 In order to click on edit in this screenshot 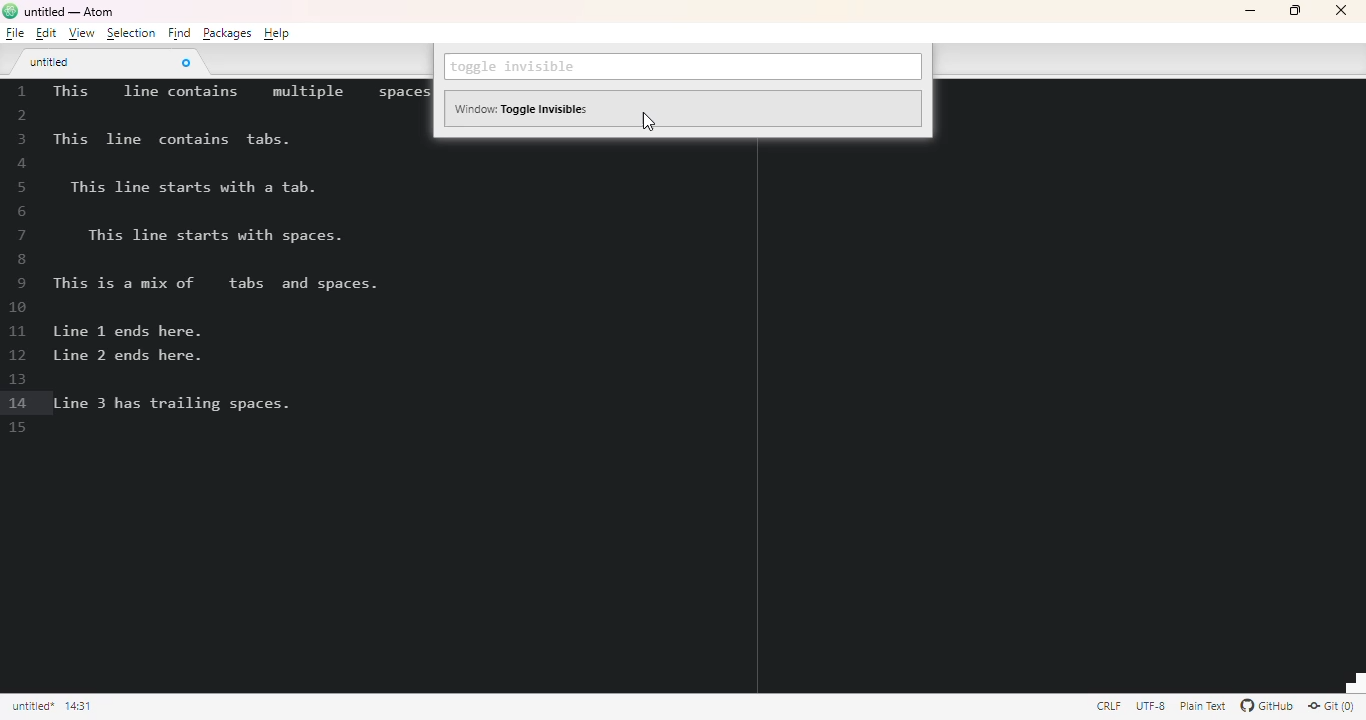, I will do `click(45, 33)`.